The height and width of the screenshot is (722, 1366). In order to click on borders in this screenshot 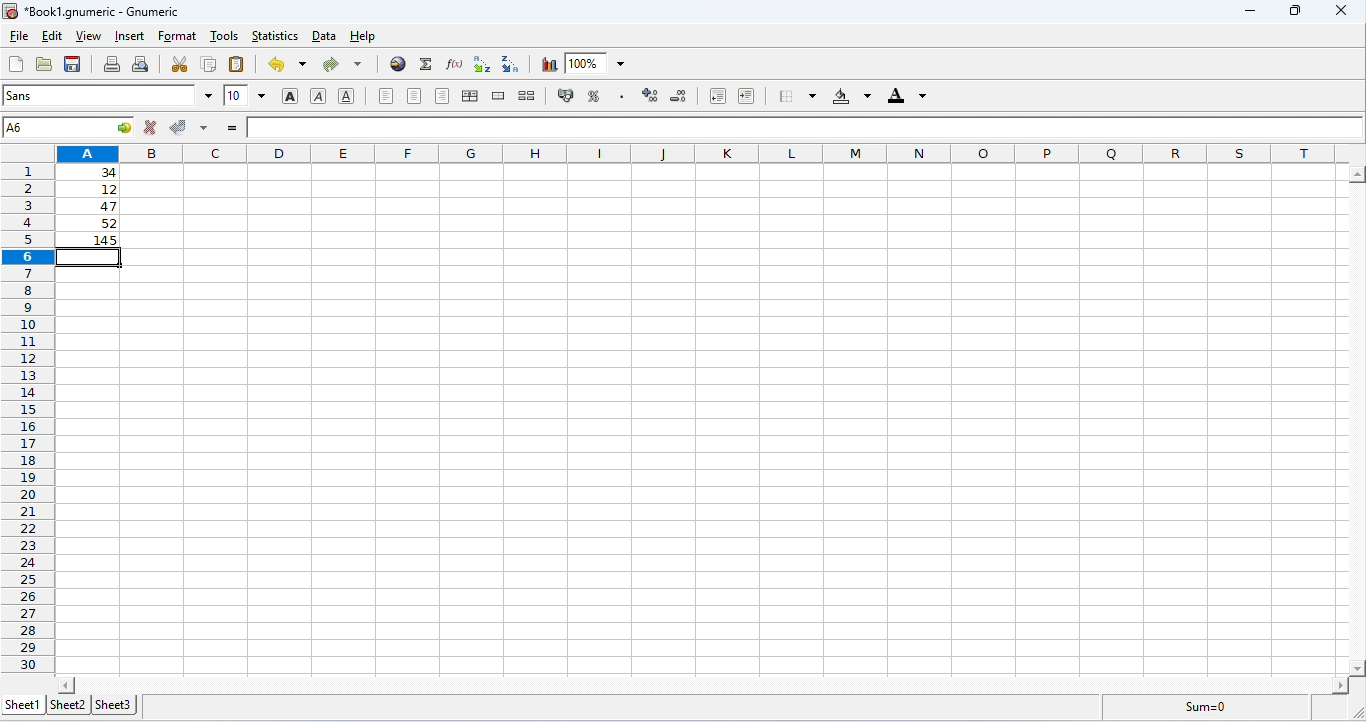, I will do `click(797, 95)`.